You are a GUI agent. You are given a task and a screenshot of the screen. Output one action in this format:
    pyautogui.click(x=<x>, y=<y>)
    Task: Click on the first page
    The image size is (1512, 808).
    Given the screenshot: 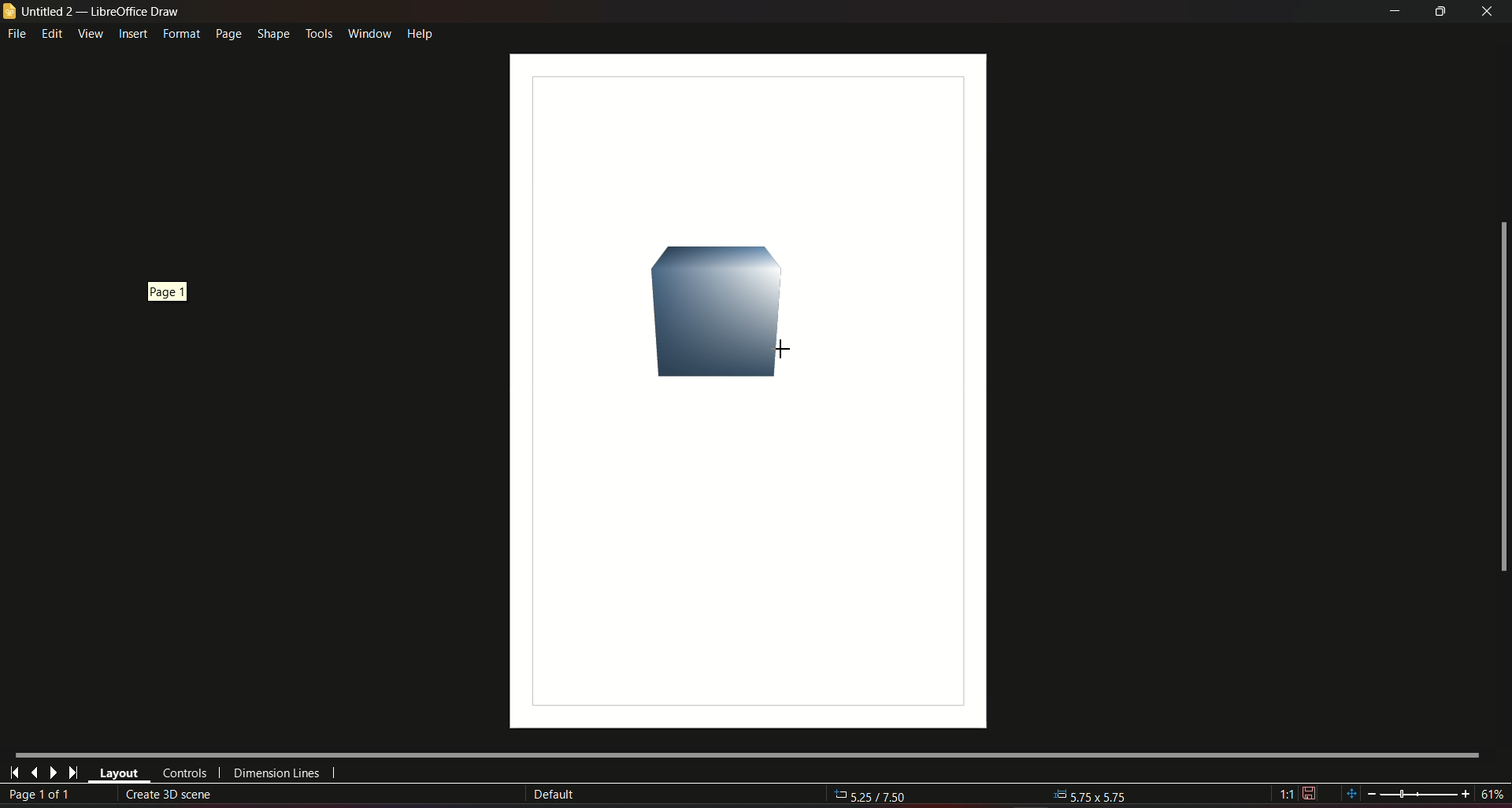 What is the action you would take?
    pyautogui.click(x=15, y=771)
    